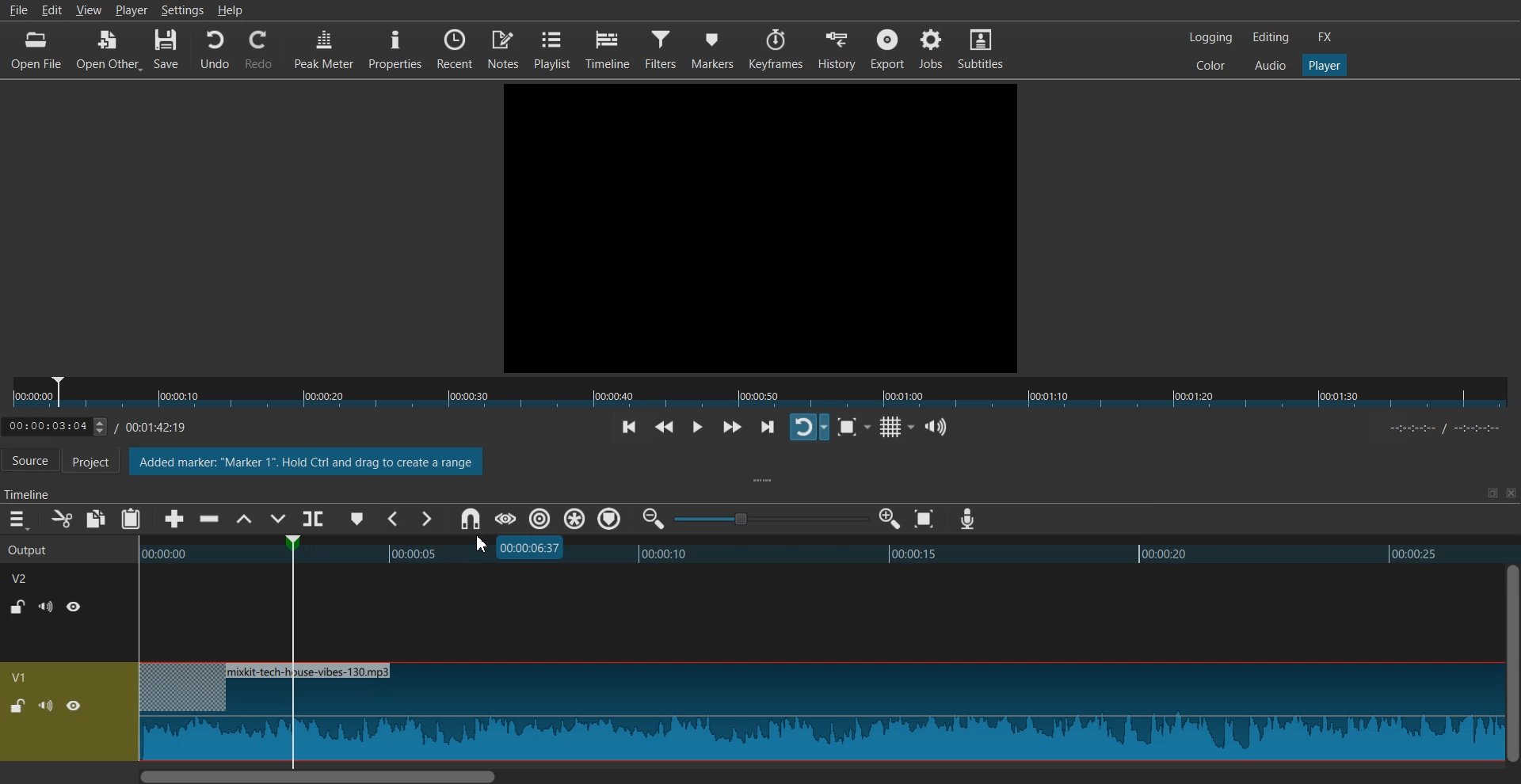  I want to click on Zoom timeline out, so click(654, 518).